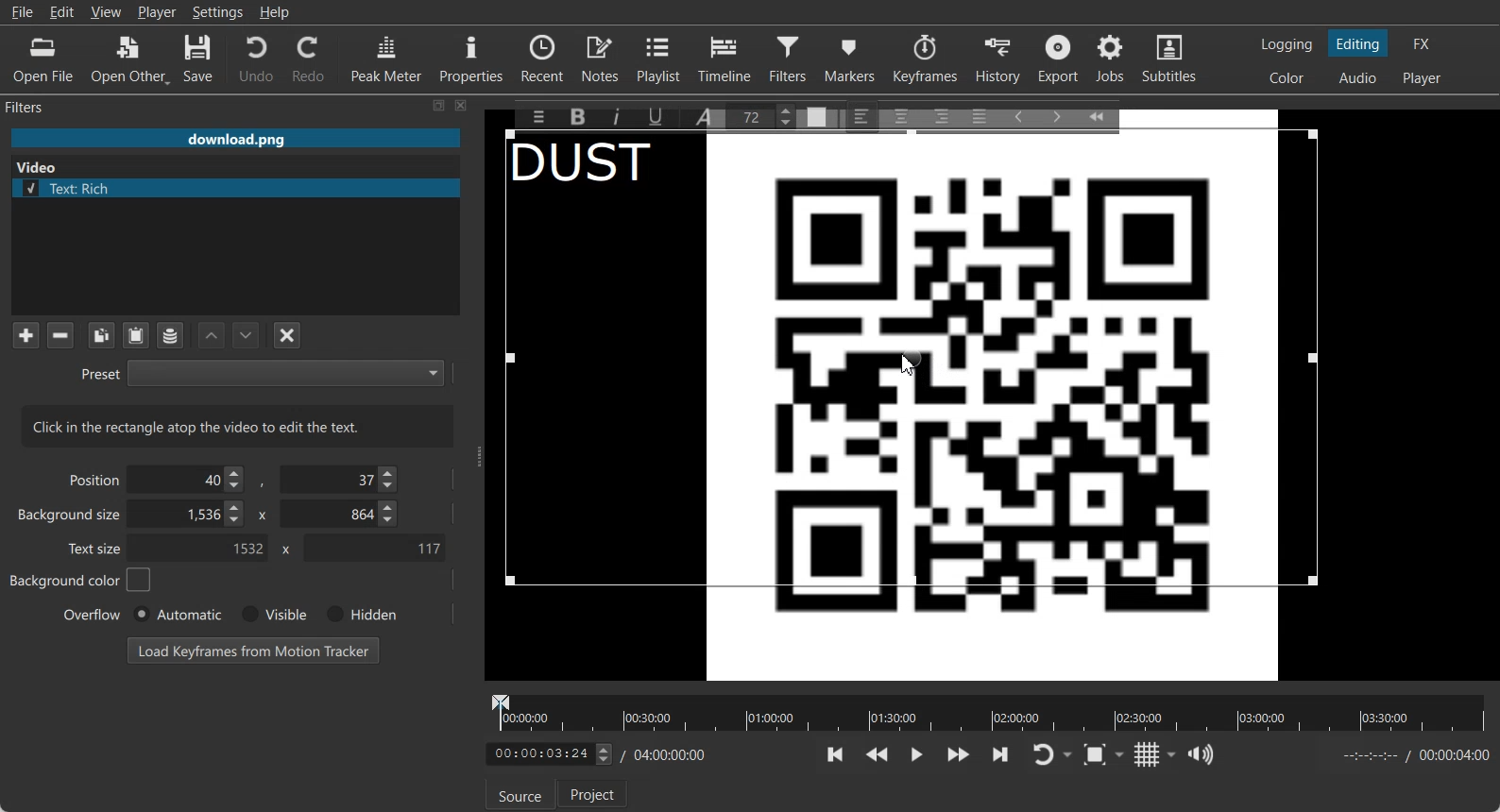 The height and width of the screenshot is (812, 1500). Describe the element at coordinates (71, 518) in the screenshot. I see `Background size` at that location.